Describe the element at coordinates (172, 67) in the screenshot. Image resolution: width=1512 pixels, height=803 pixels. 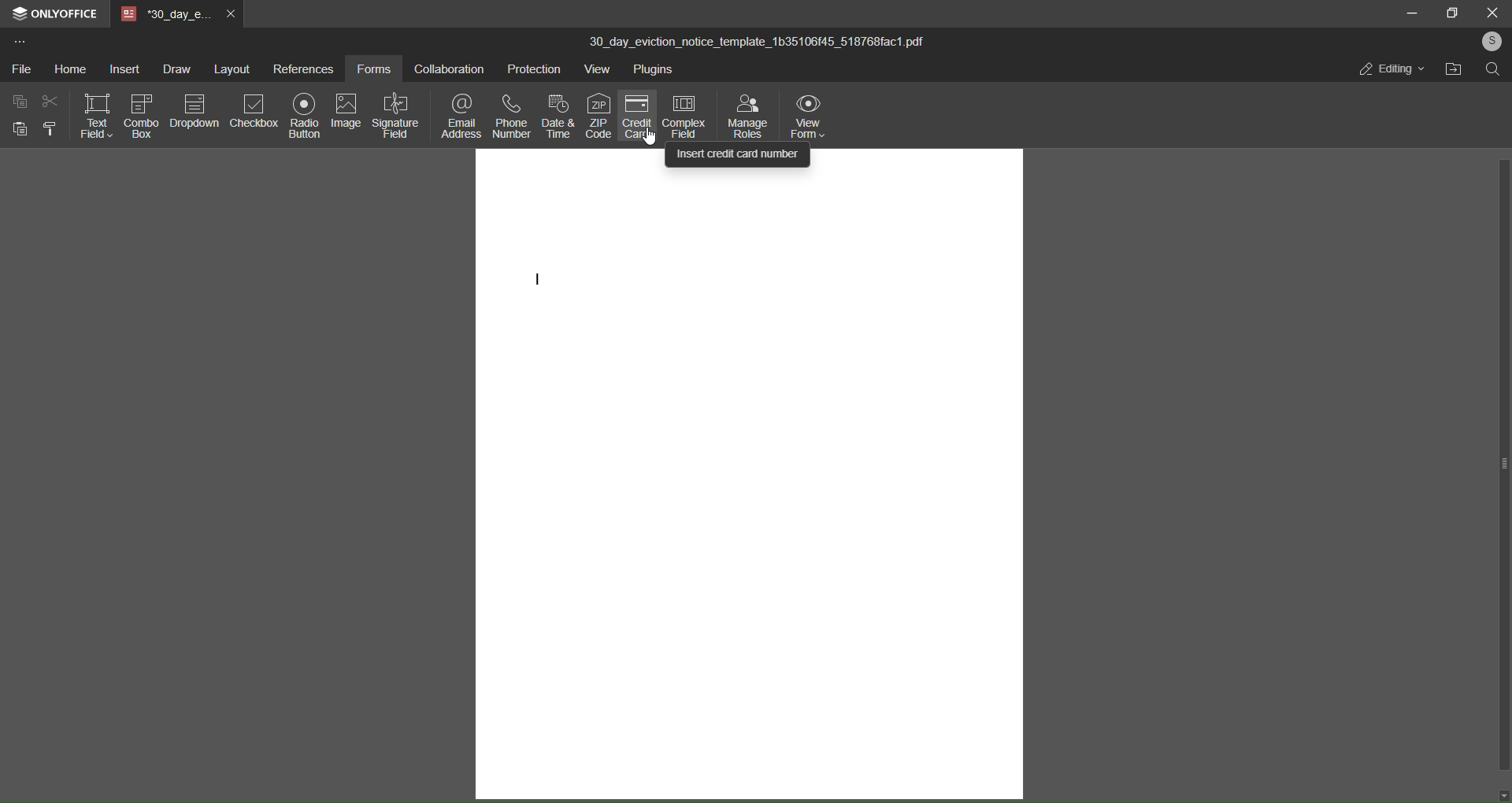
I see `draw` at that location.